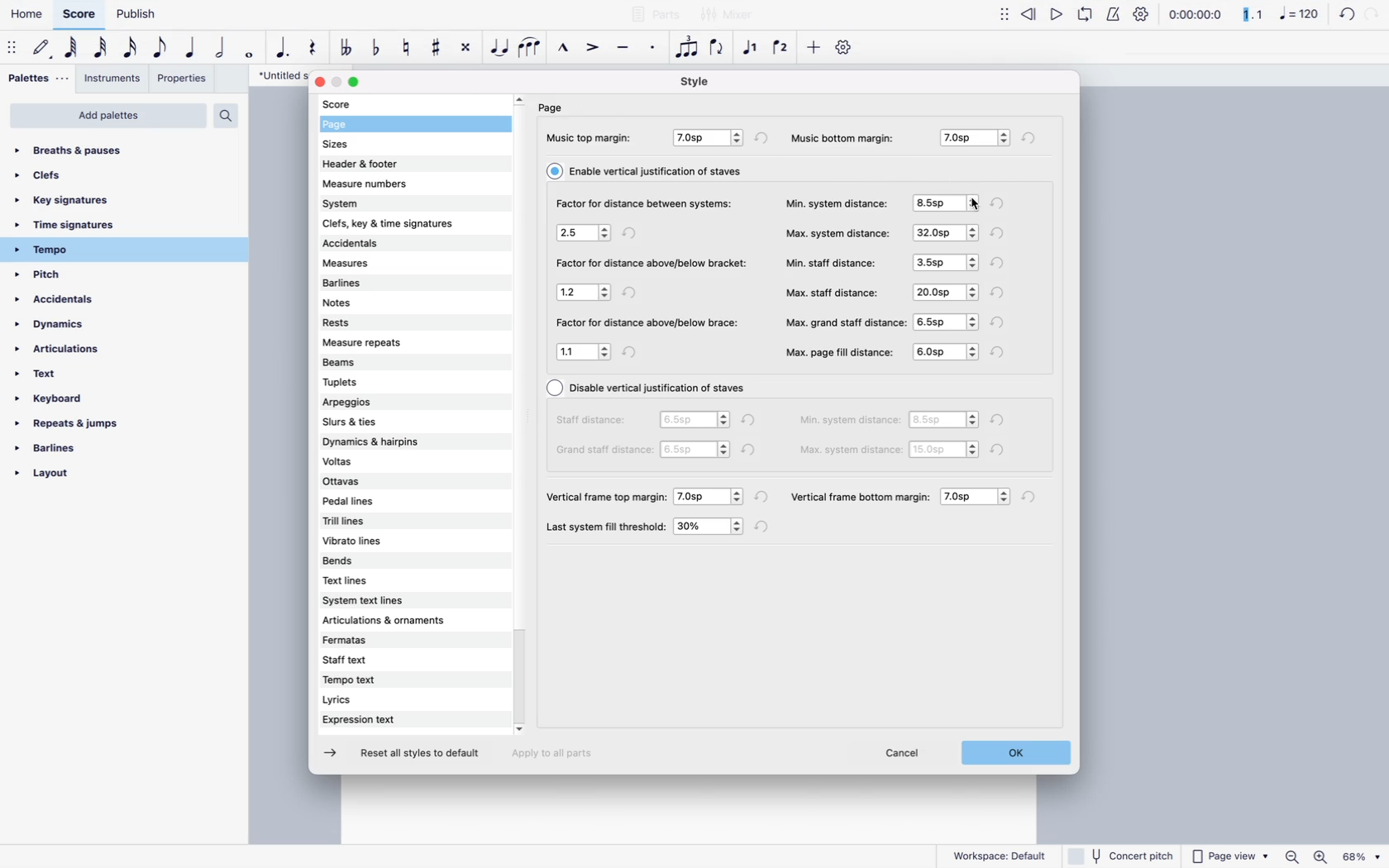  Describe the element at coordinates (131, 48) in the screenshot. I see `16th note` at that location.